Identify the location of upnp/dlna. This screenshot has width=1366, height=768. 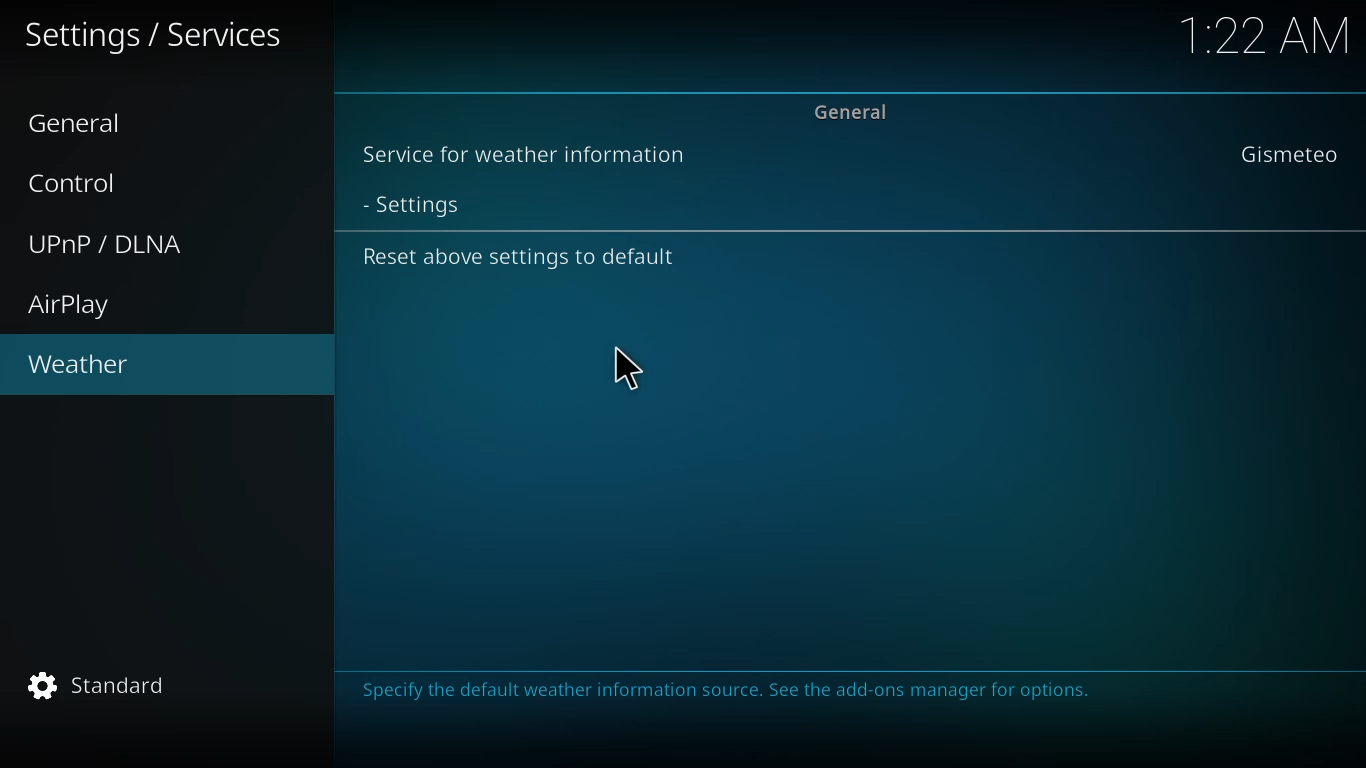
(110, 244).